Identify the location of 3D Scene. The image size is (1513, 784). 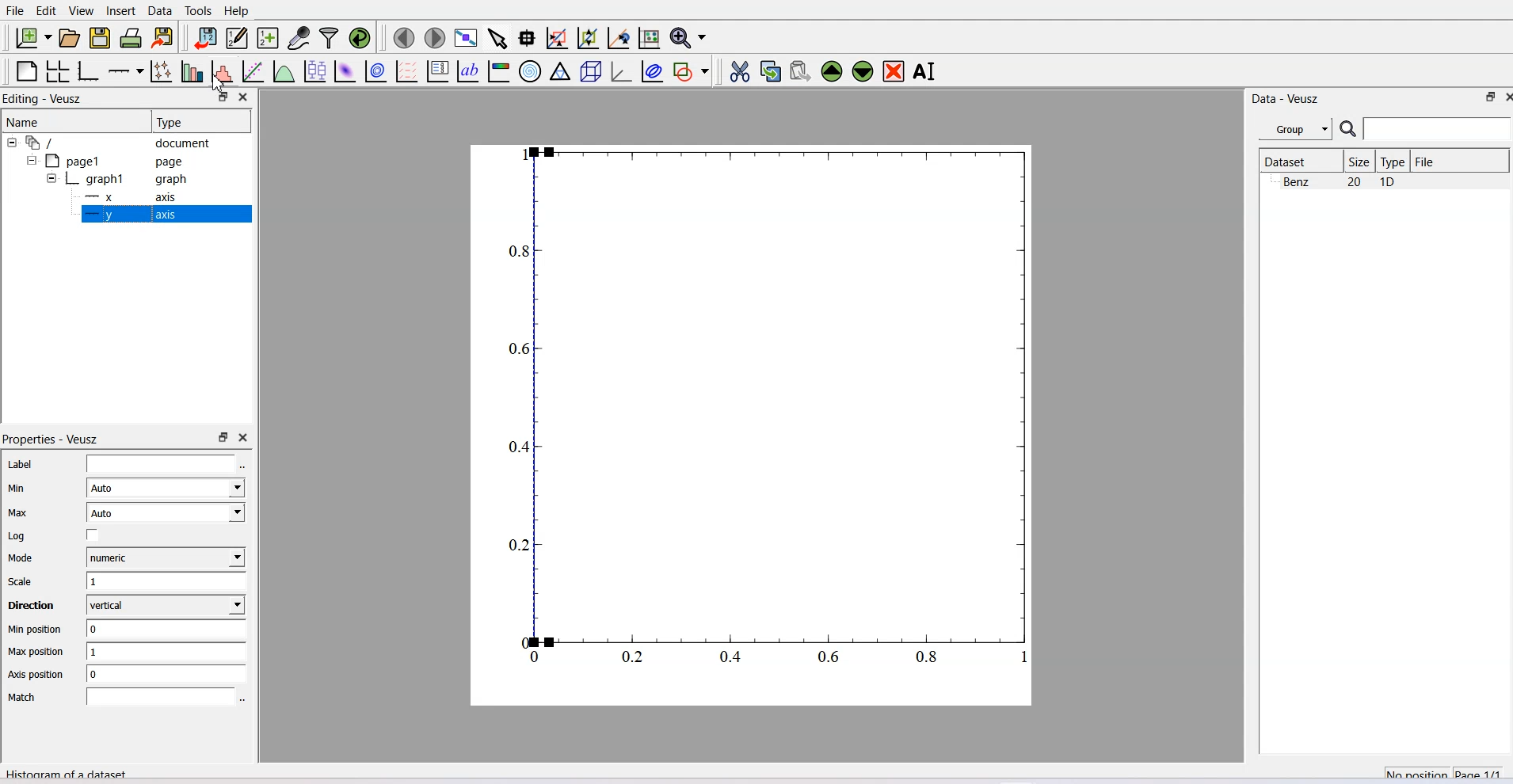
(591, 71).